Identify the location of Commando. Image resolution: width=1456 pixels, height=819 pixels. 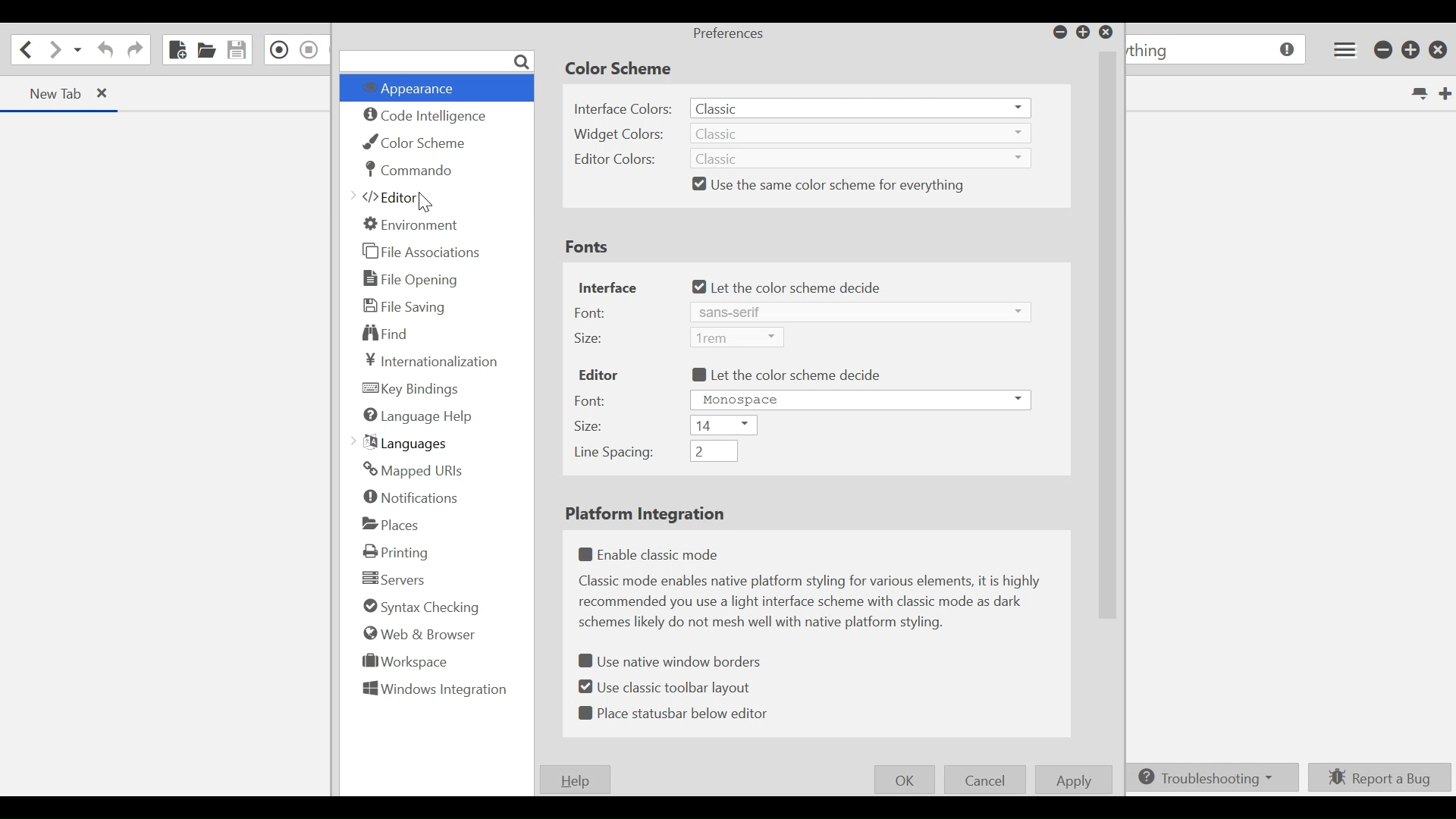
(411, 170).